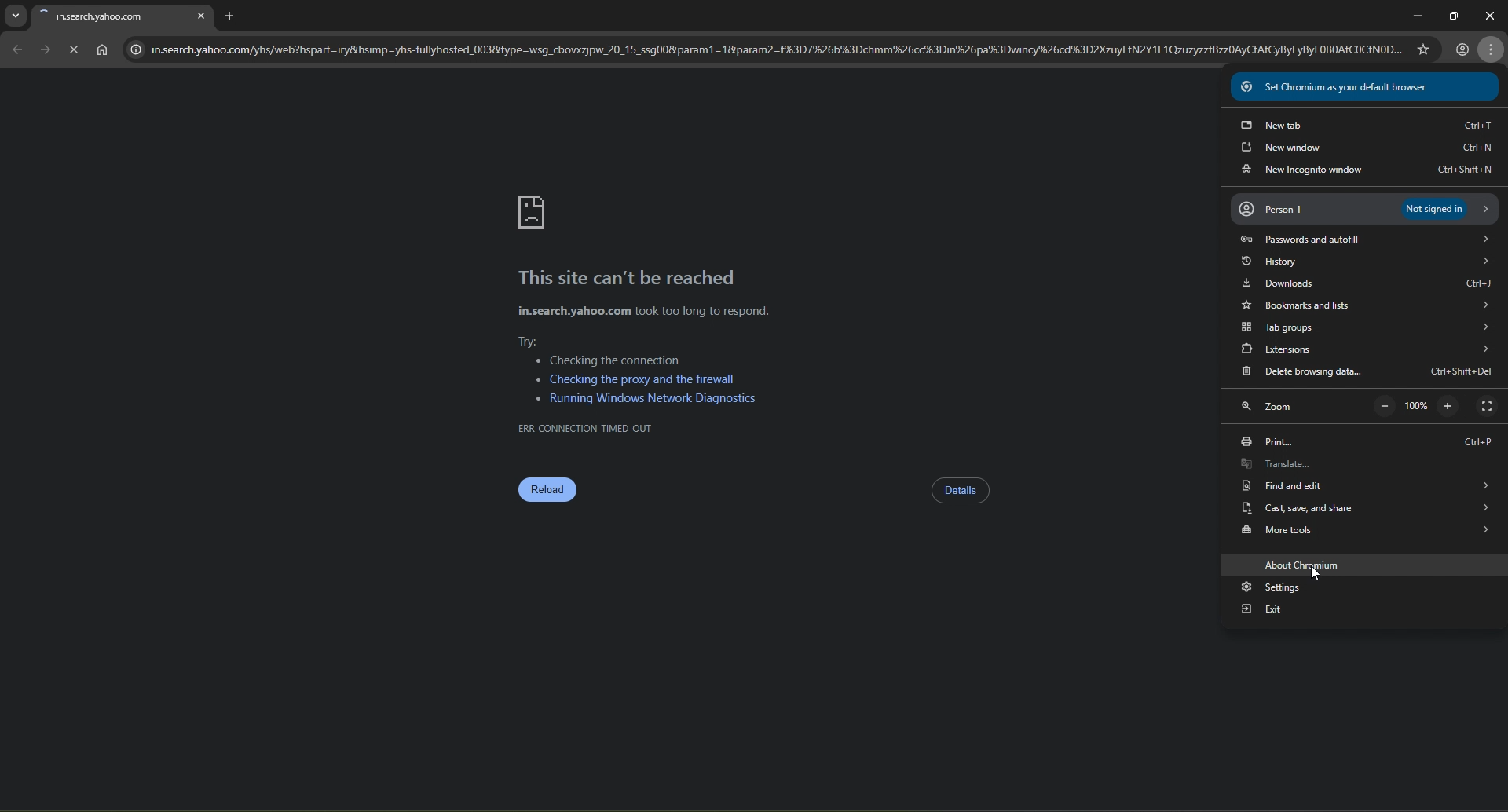 The width and height of the screenshot is (1508, 812). Describe the element at coordinates (1370, 262) in the screenshot. I see `history` at that location.